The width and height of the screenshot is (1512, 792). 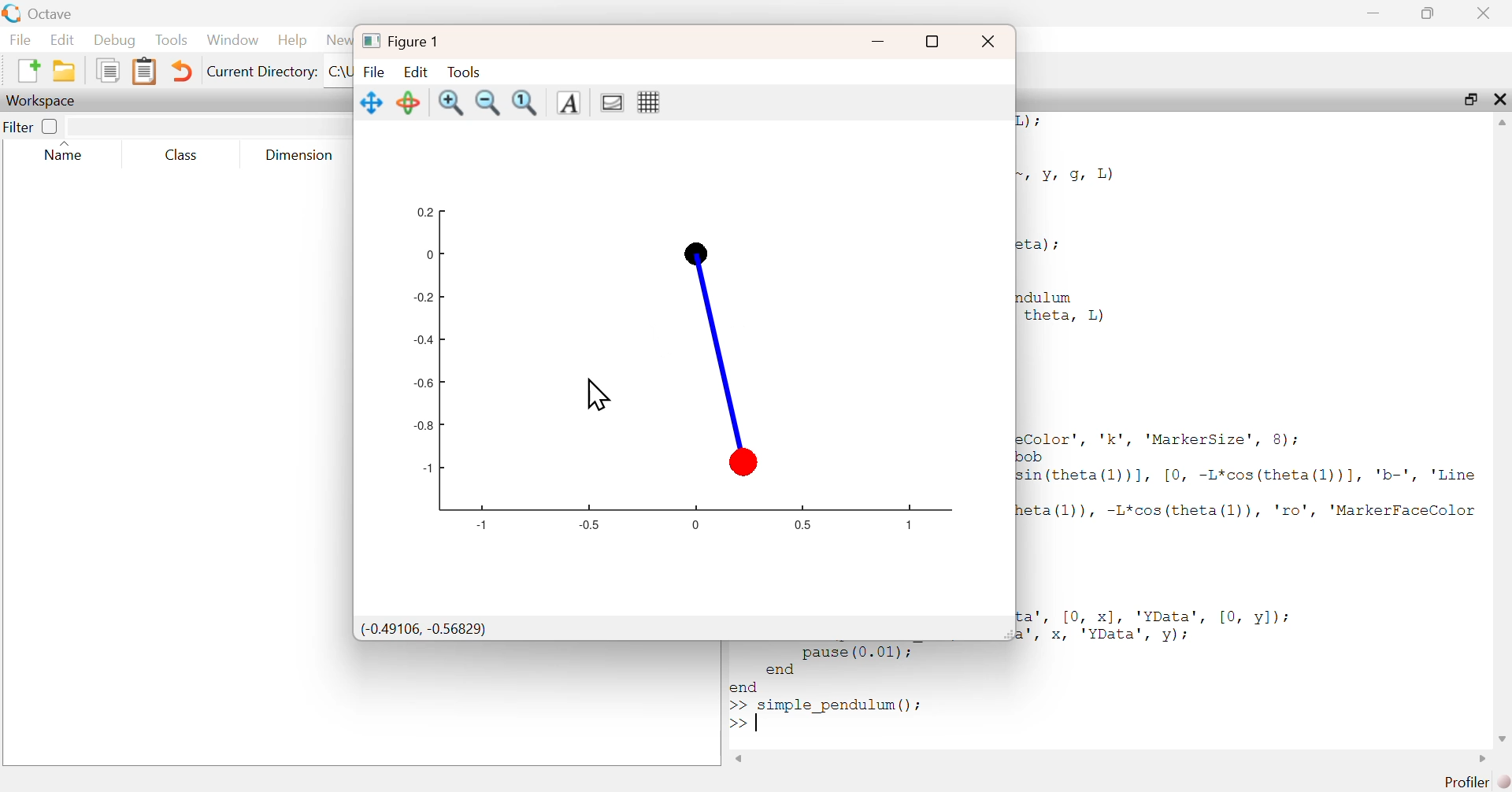 I want to click on Tools, so click(x=172, y=41).